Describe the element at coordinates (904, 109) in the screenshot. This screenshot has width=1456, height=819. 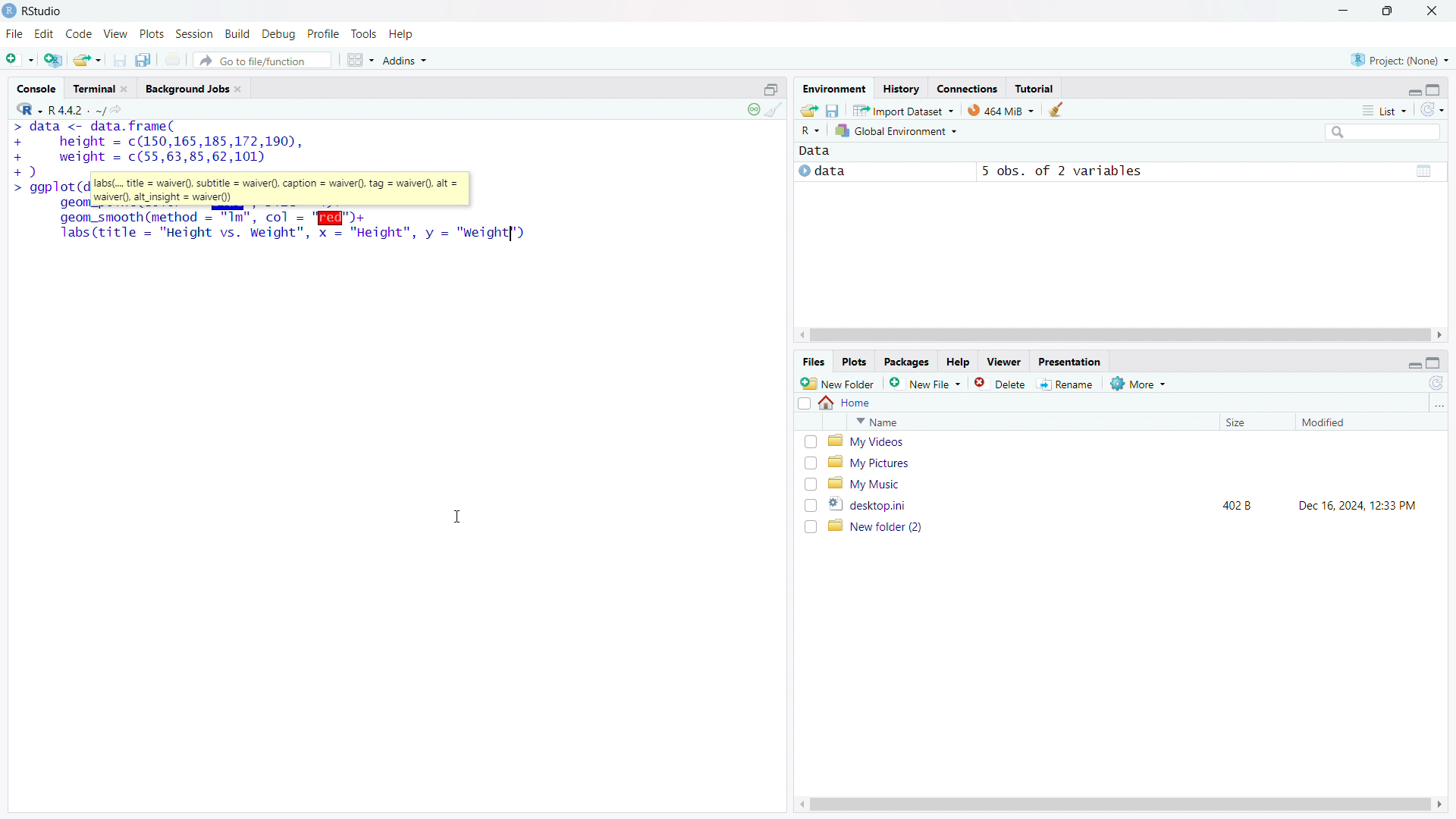
I see `import dataset` at that location.